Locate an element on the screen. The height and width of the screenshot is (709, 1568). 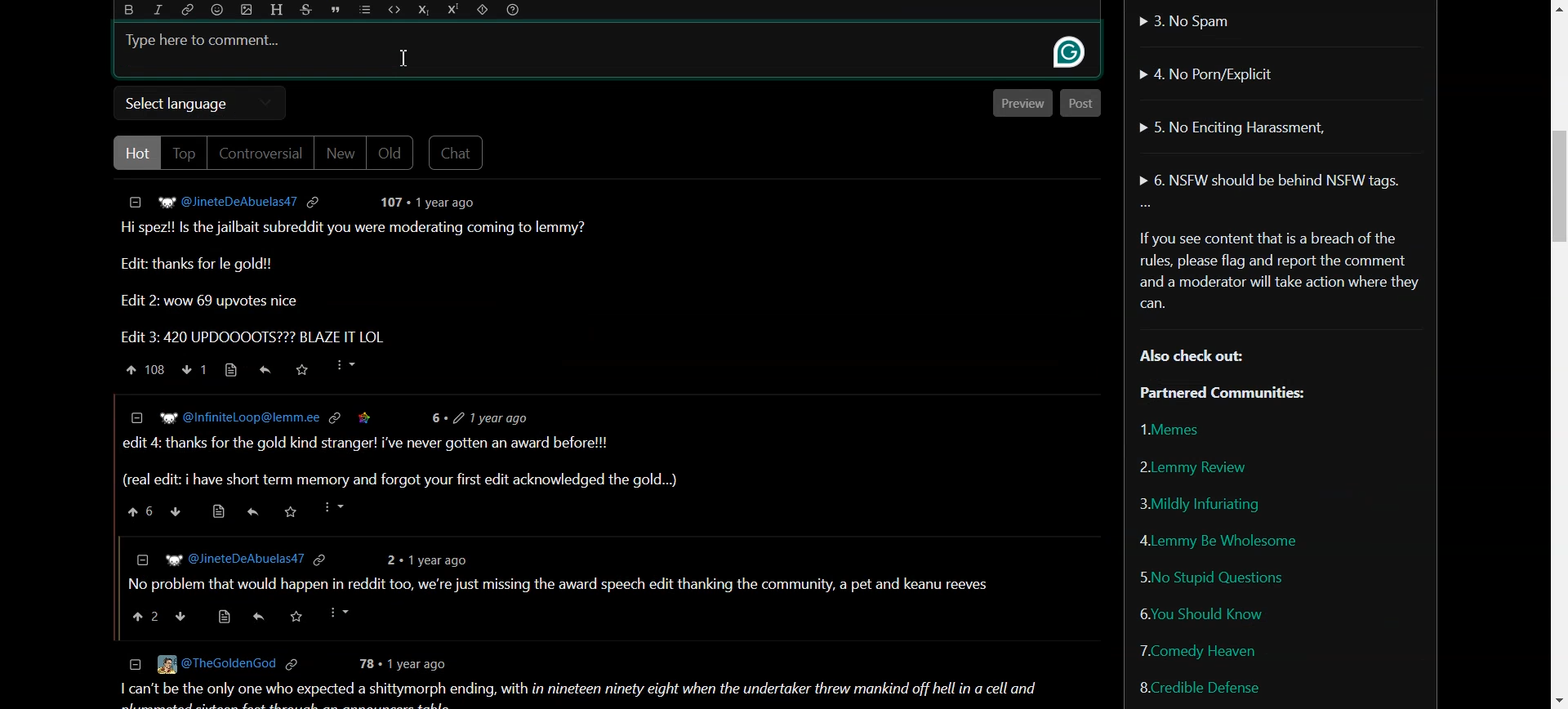
] WP @JineteDeAbuelas47 is located at coordinates (245, 560).